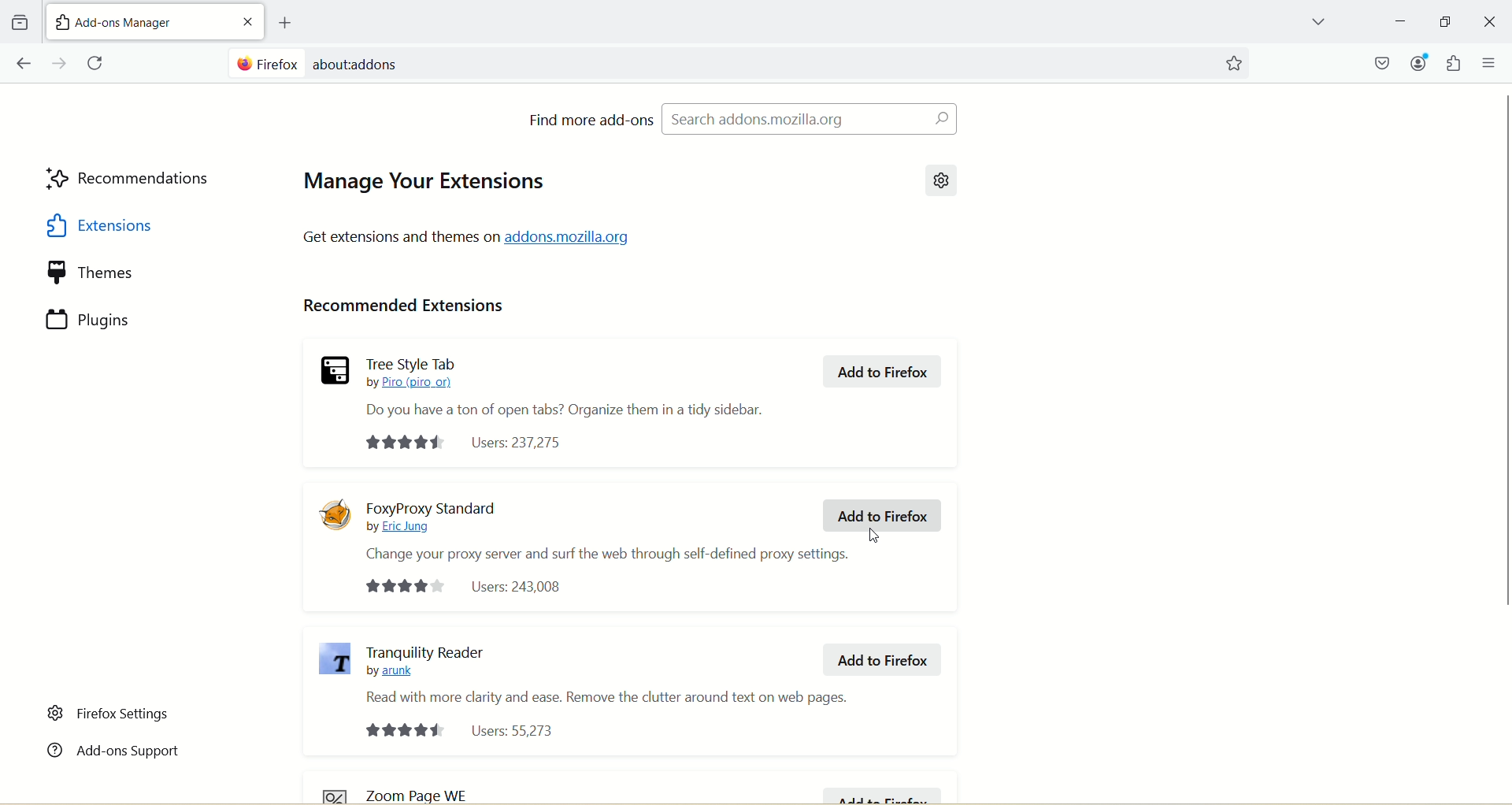 Image resolution: width=1512 pixels, height=805 pixels. I want to click on Tree Style Tab
by Piro (piro_or)
Do you have a ton of open tabs? Organize them in a tidy sidebar., so click(561, 388).